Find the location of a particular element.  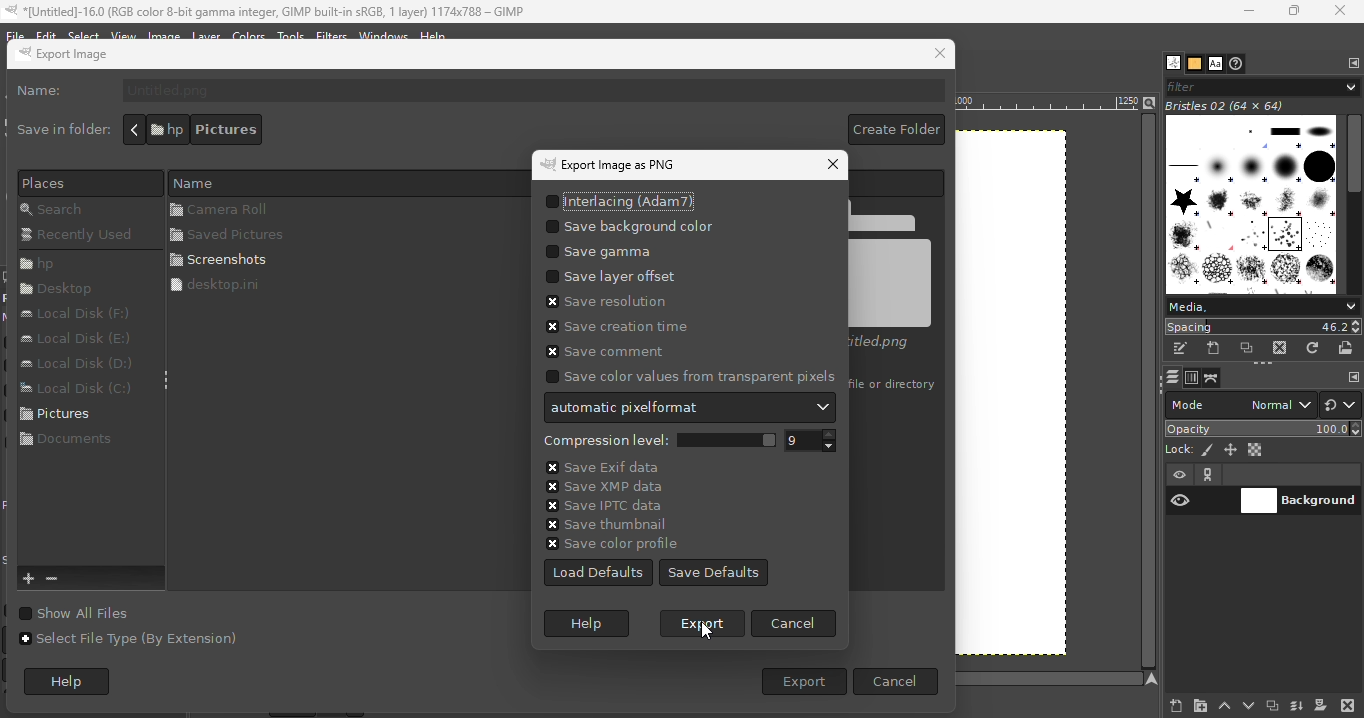

desktop.ini is located at coordinates (340, 285).